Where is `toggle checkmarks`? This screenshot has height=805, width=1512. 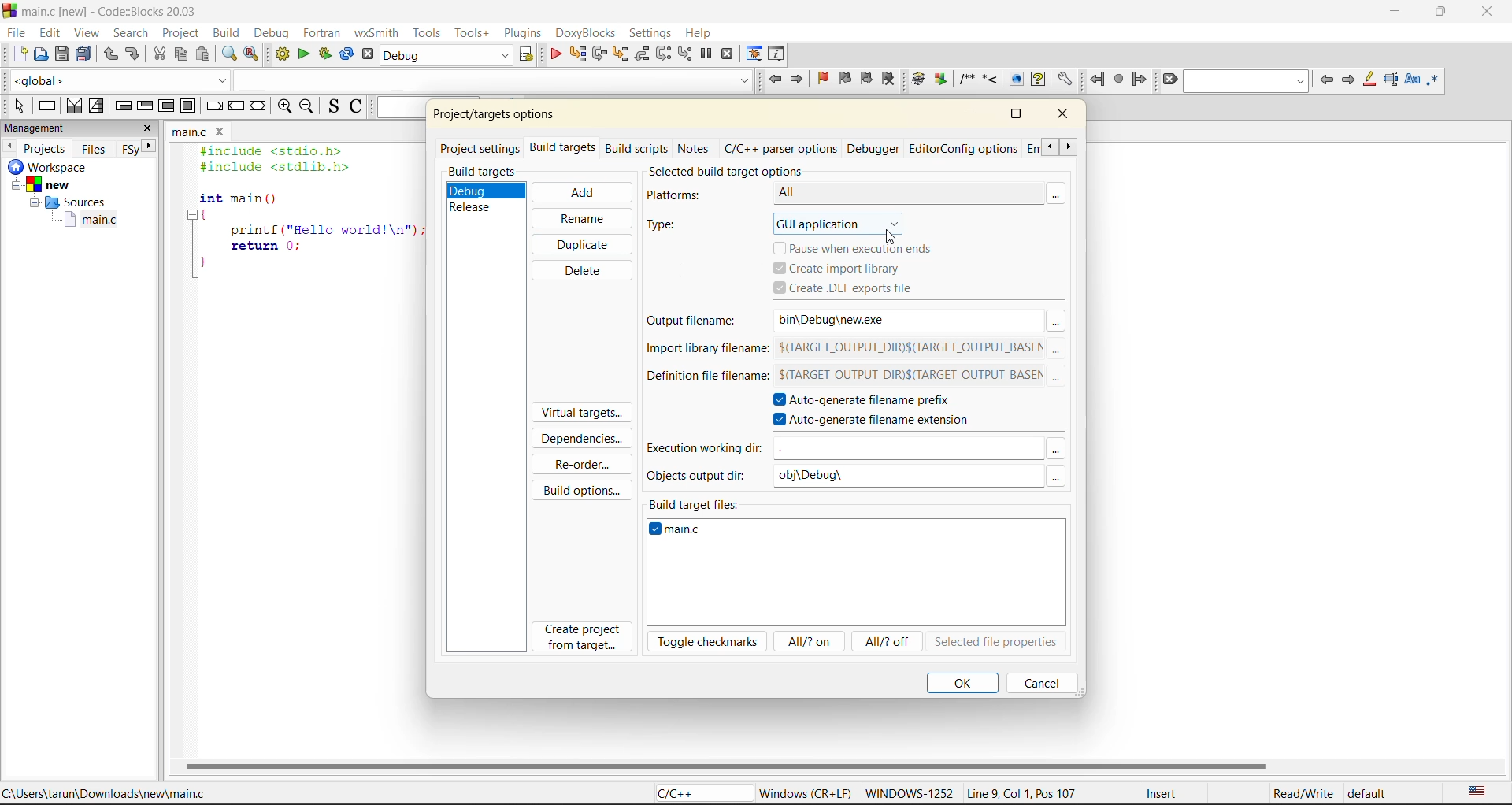 toggle checkmarks is located at coordinates (709, 642).